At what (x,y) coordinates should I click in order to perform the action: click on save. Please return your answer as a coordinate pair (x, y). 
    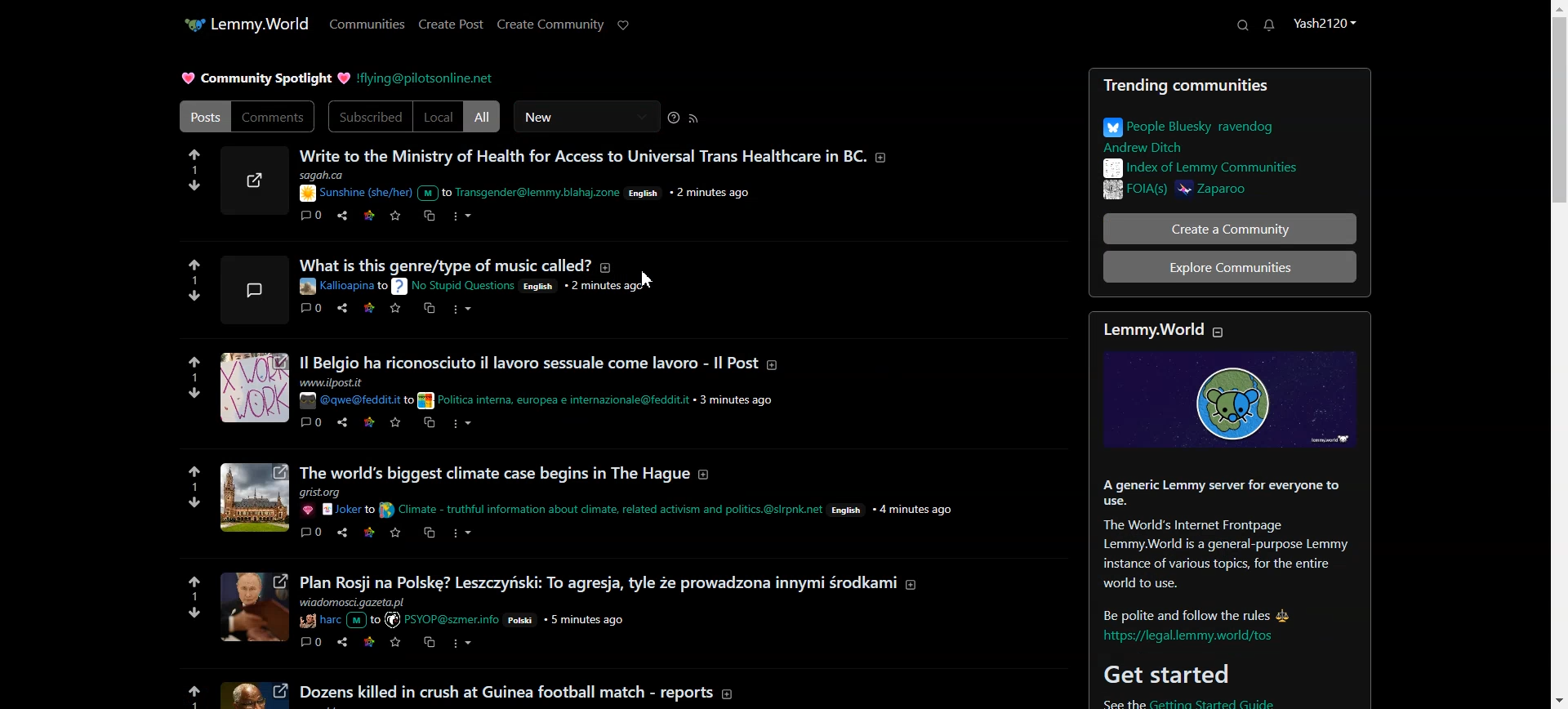
    Looking at the image, I should click on (395, 535).